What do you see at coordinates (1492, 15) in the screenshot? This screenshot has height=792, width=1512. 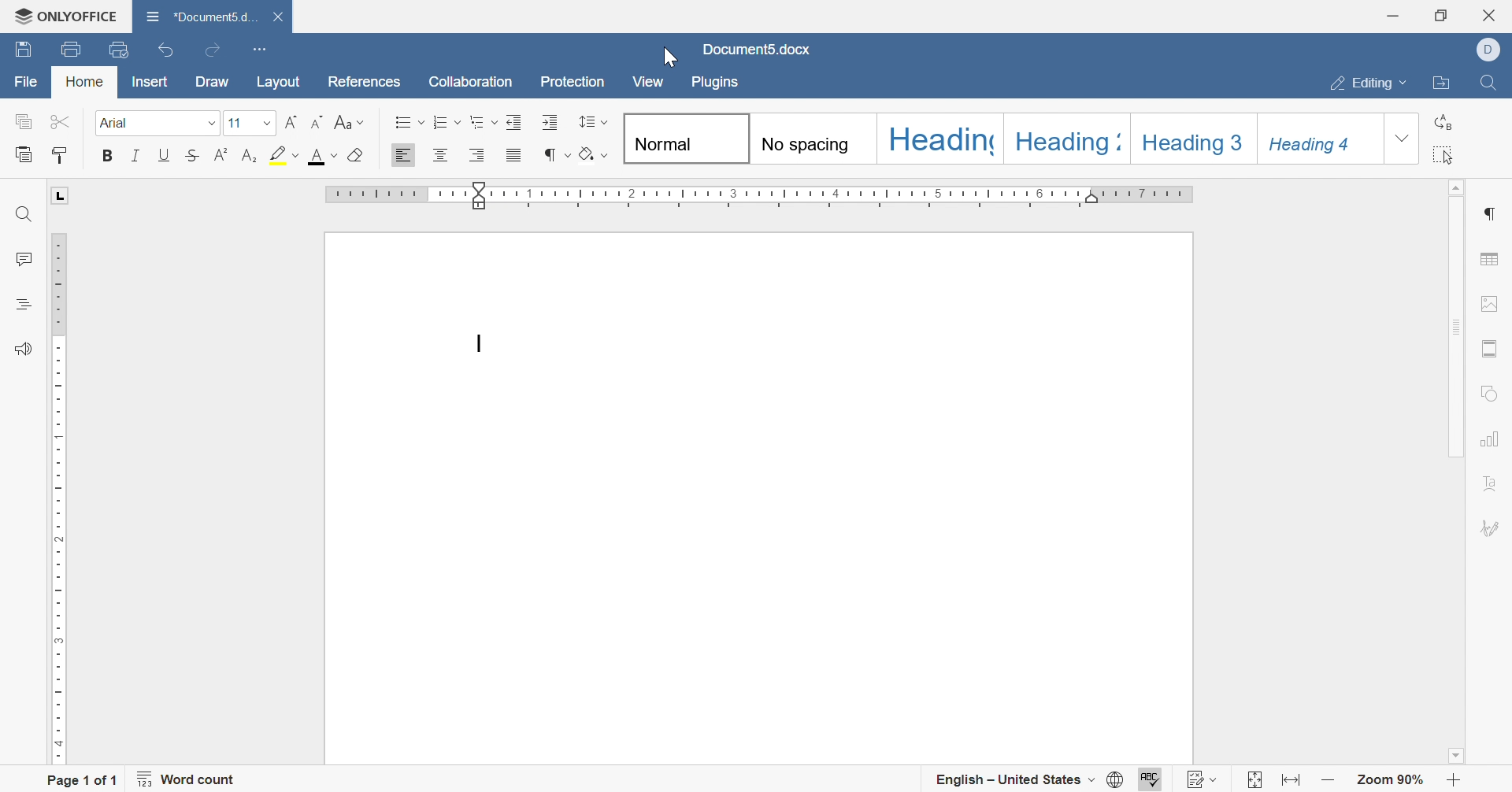 I see `close` at bounding box center [1492, 15].